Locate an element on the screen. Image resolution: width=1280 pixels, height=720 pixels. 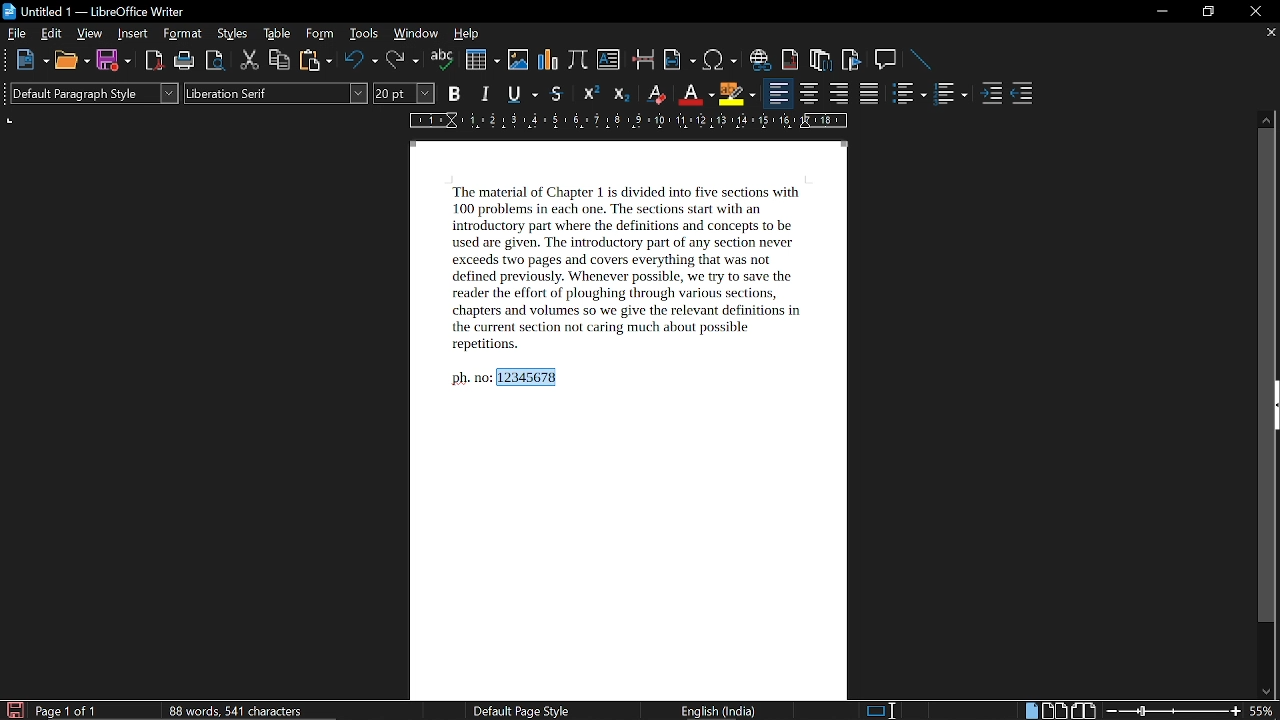
insert bibliography is located at coordinates (850, 61).